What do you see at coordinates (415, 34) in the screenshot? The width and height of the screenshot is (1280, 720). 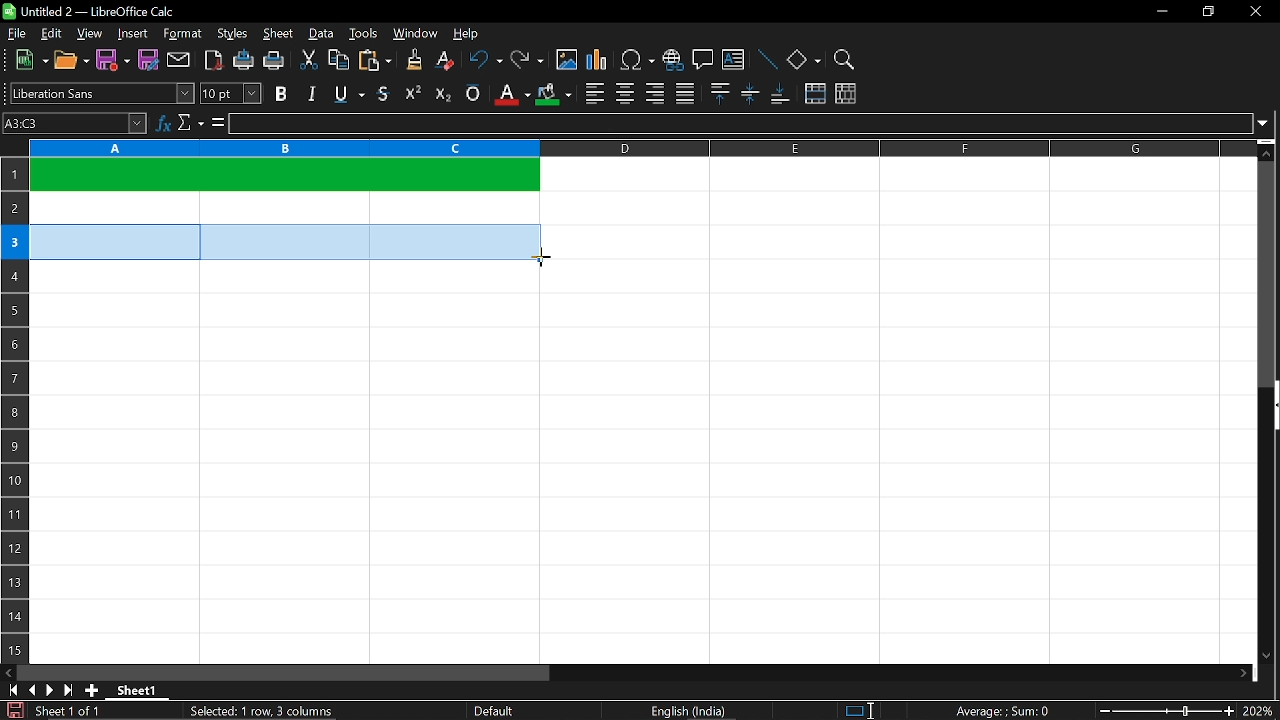 I see `window` at bounding box center [415, 34].